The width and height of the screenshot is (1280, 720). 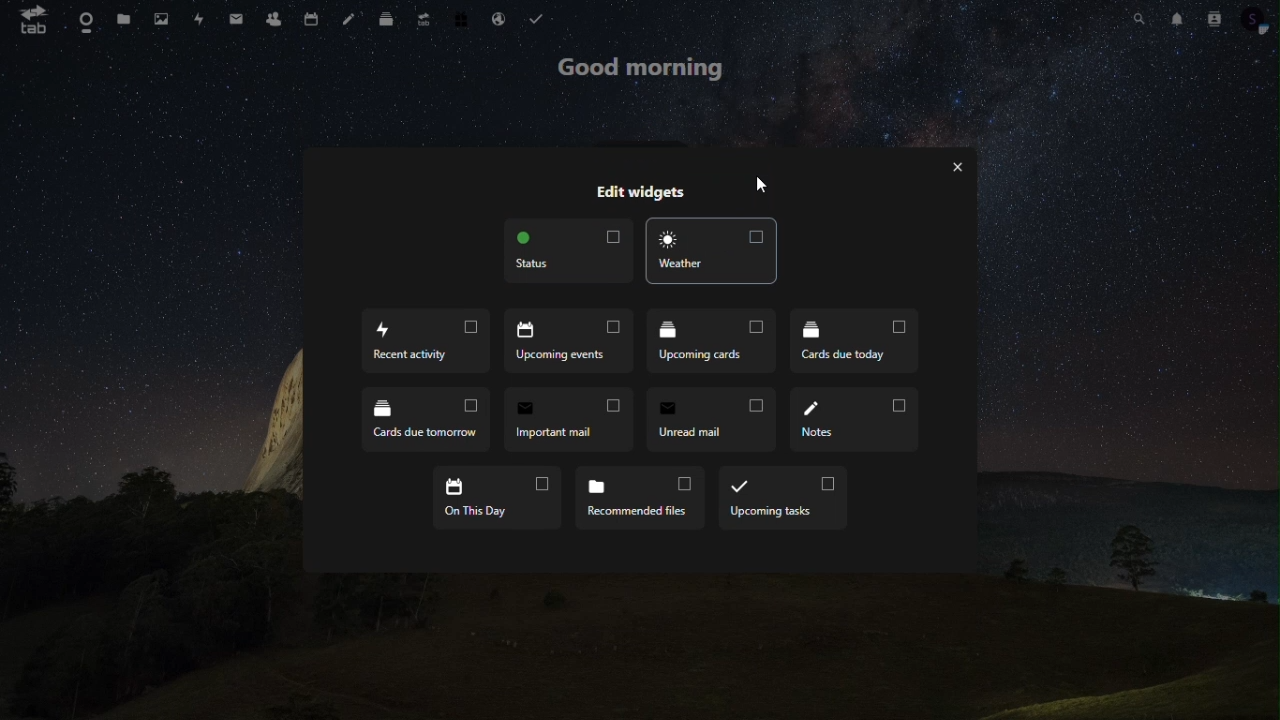 What do you see at coordinates (80, 19) in the screenshot?
I see `dashboard` at bounding box center [80, 19].